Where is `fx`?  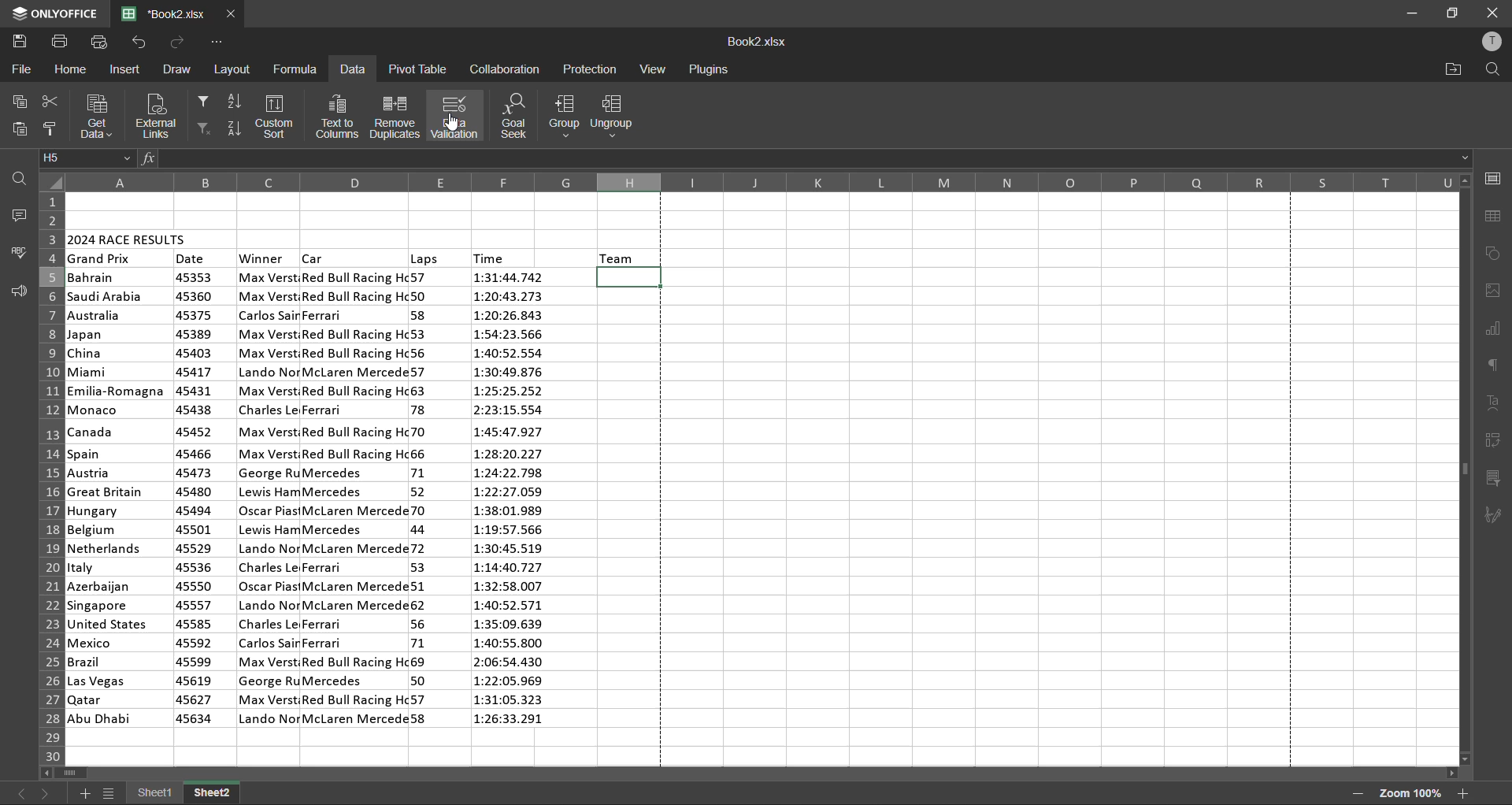
fx is located at coordinates (150, 161).